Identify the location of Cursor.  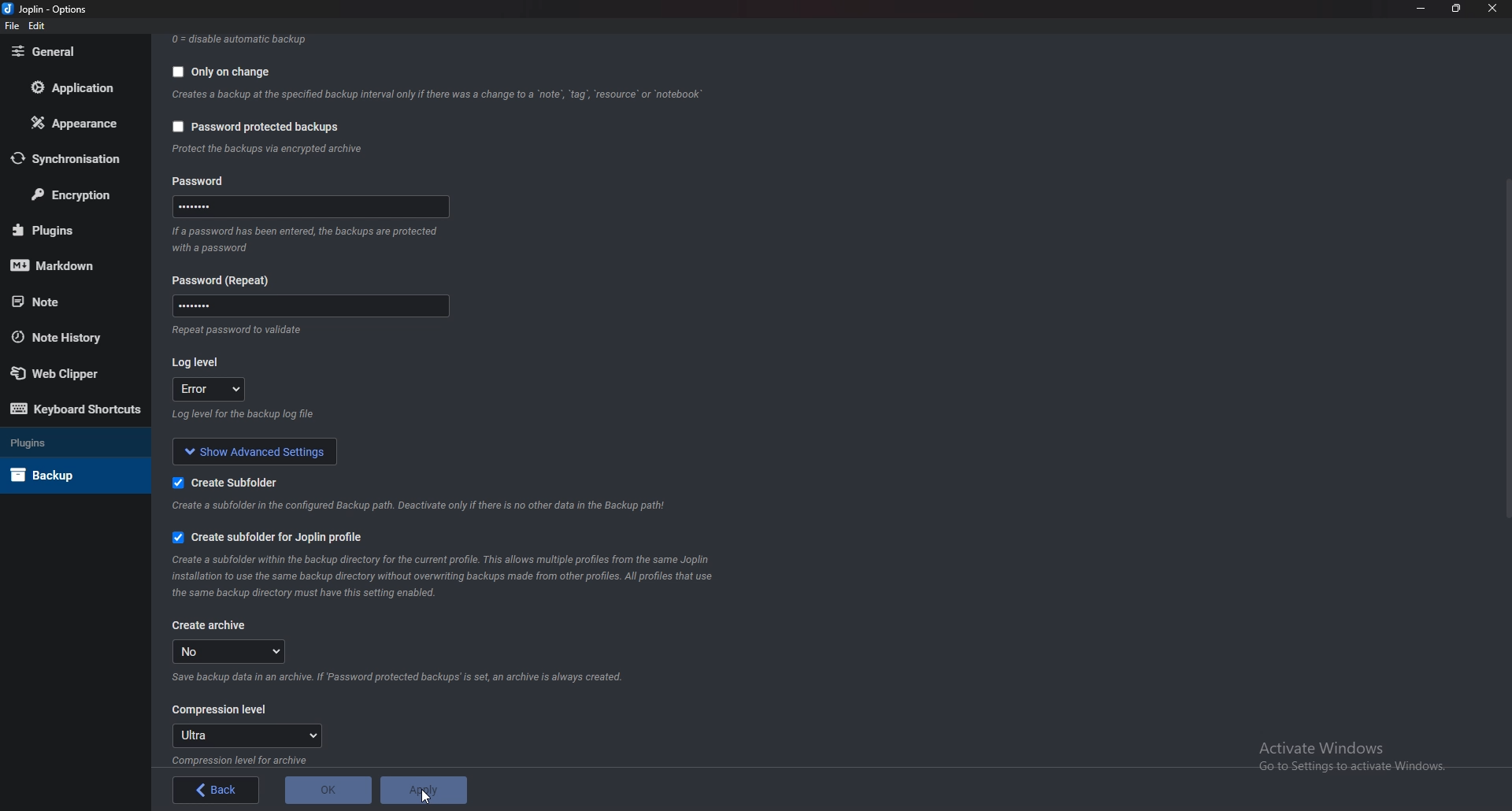
(425, 798).